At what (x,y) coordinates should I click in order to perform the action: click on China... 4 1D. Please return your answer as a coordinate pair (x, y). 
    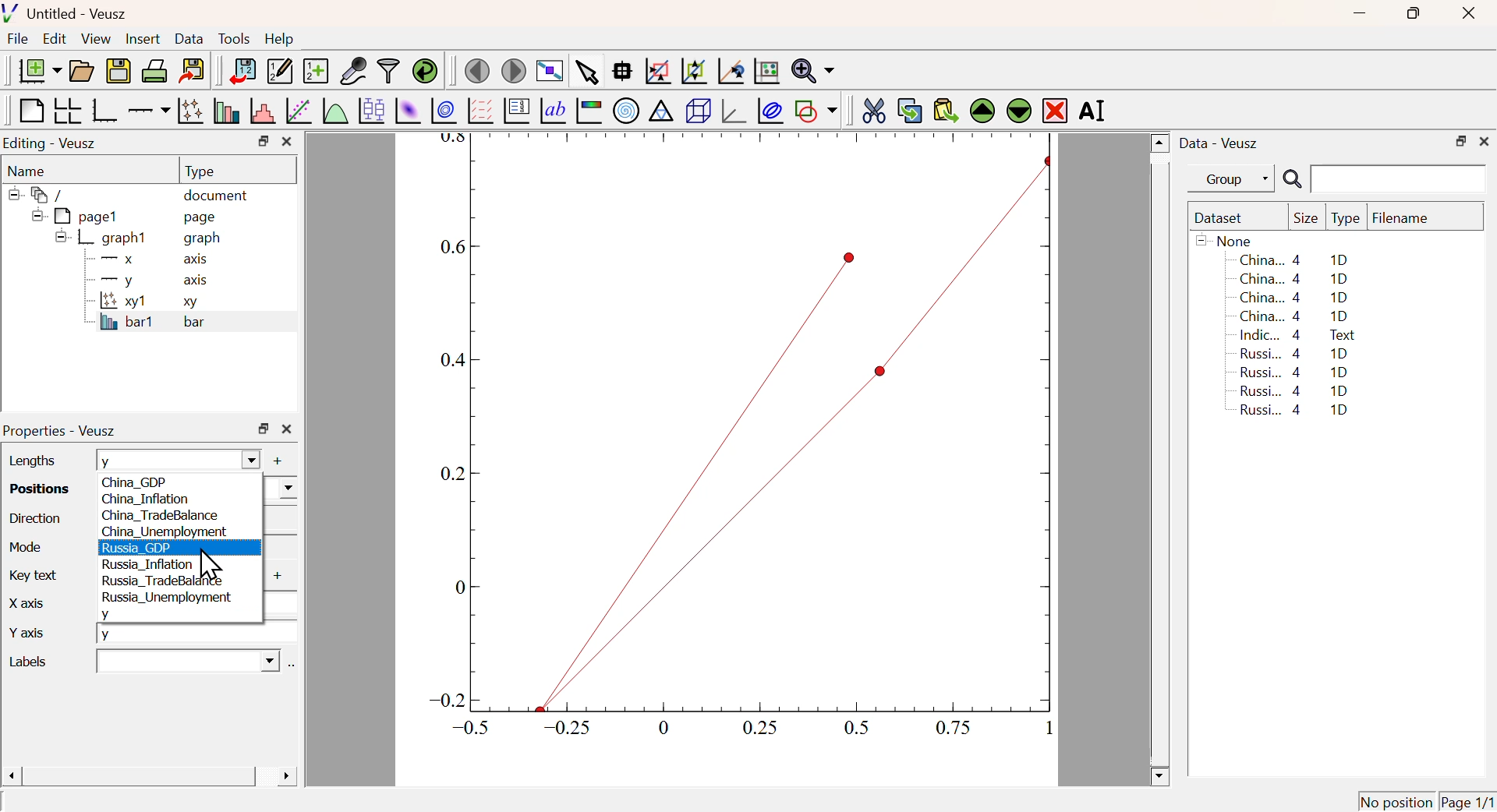
    Looking at the image, I should click on (1296, 298).